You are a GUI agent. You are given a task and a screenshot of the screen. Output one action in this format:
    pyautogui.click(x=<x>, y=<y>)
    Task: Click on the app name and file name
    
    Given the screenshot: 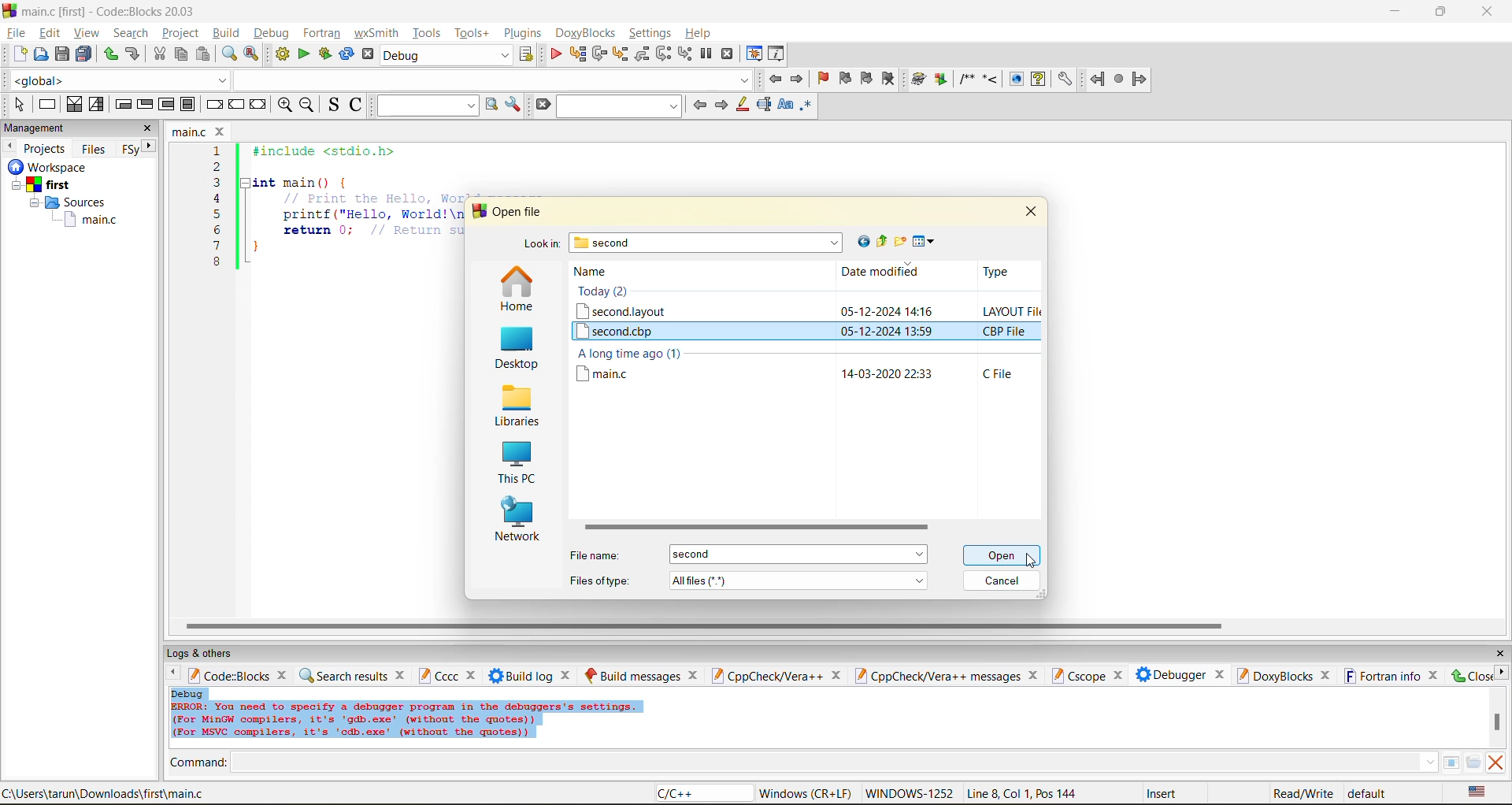 What is the action you would take?
    pyautogui.click(x=112, y=10)
    